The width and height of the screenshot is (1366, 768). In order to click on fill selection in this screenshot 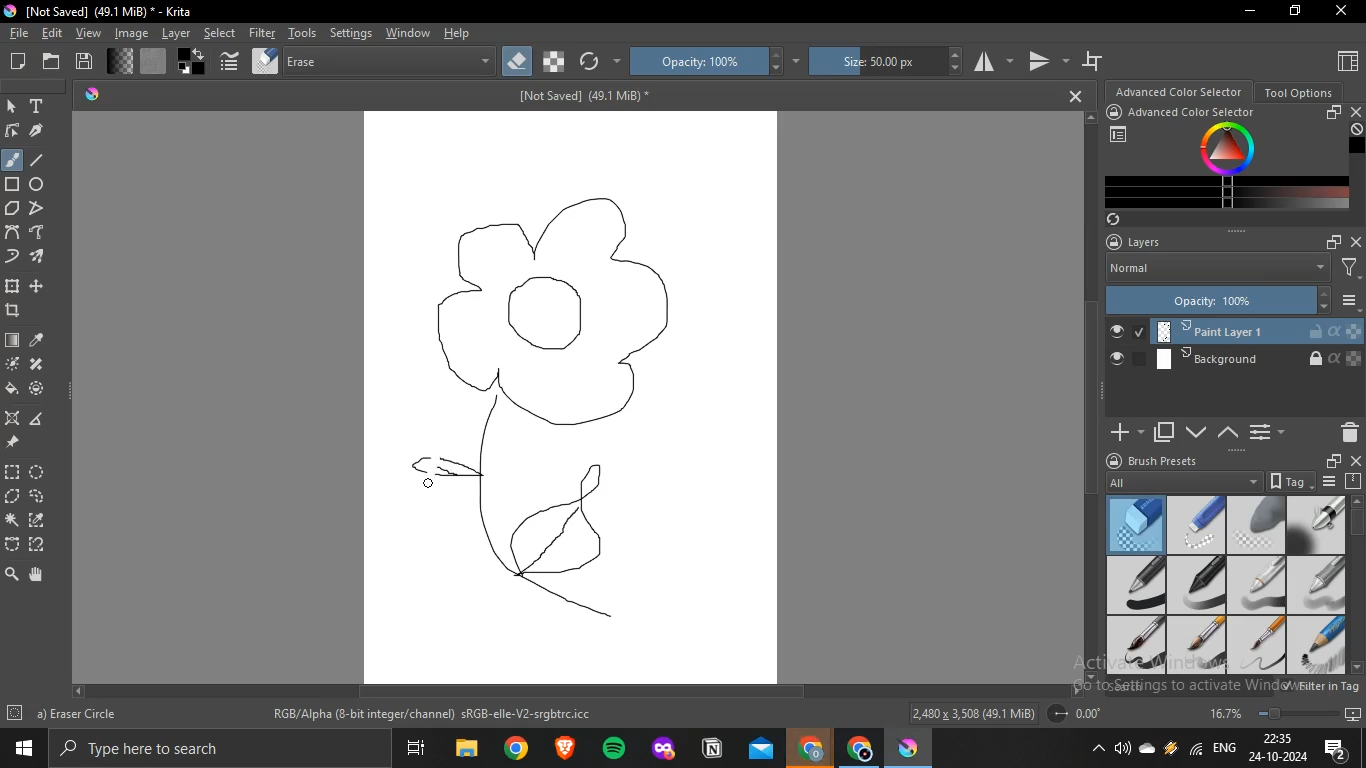, I will do `click(12, 388)`.